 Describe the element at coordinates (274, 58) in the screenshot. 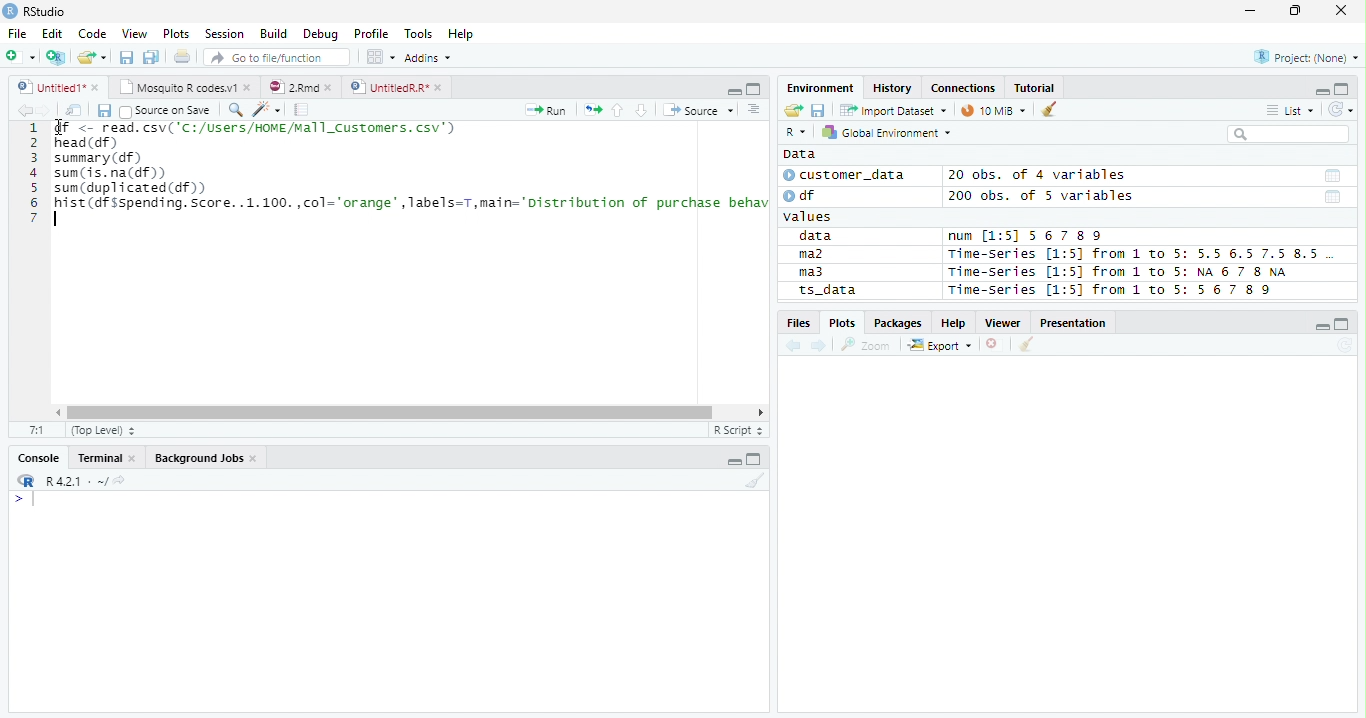

I see `Go to file/function` at that location.